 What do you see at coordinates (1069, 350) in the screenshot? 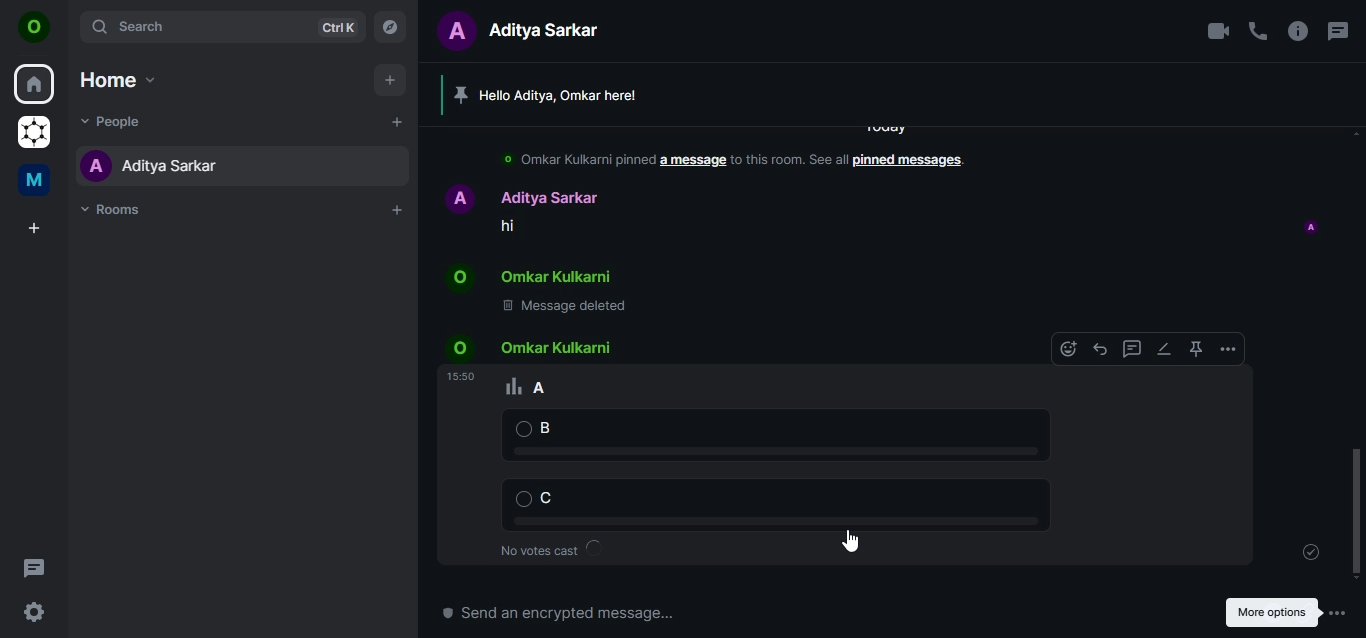
I see `react` at bounding box center [1069, 350].